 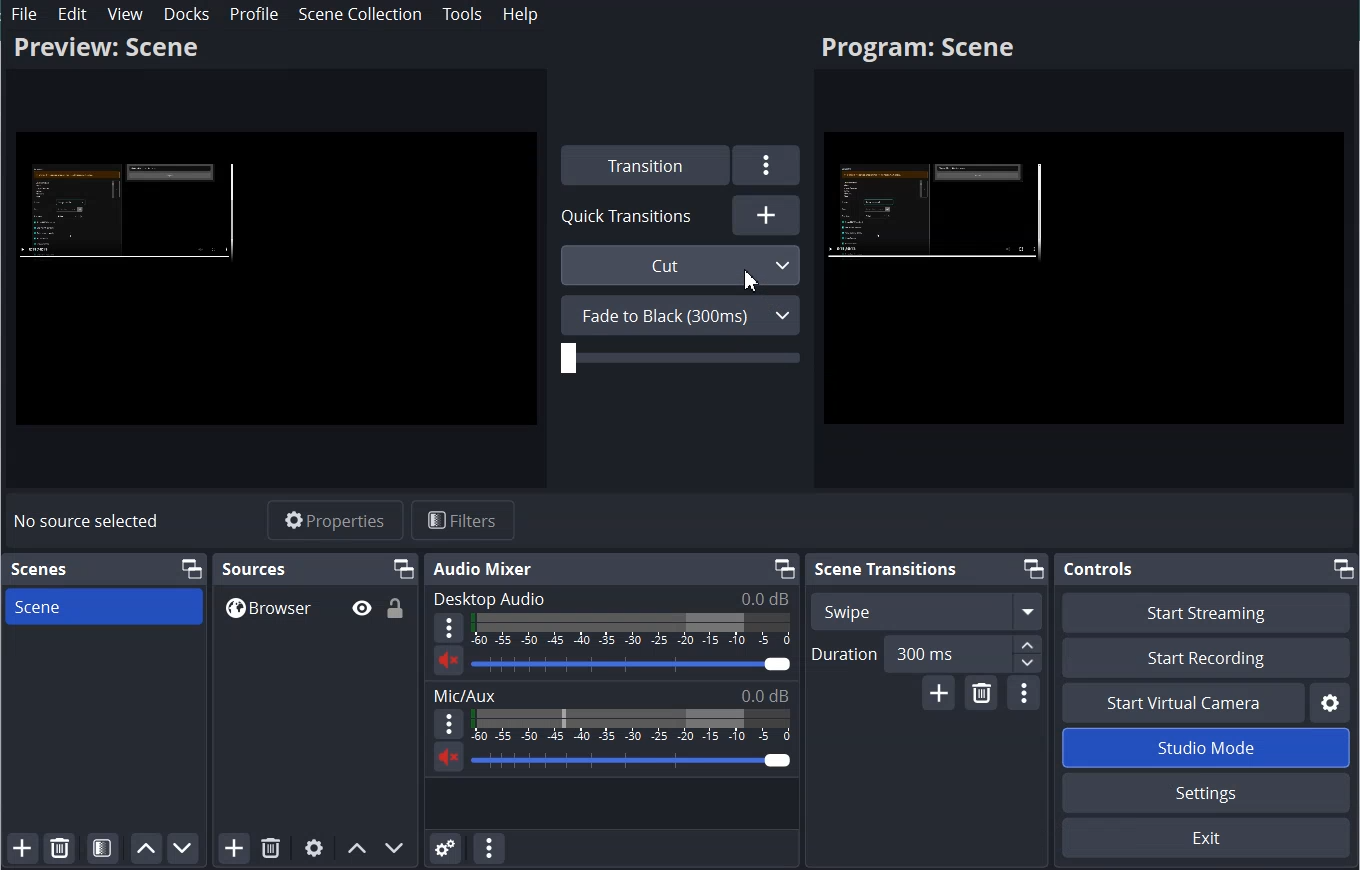 I want to click on No source selected, so click(x=89, y=521).